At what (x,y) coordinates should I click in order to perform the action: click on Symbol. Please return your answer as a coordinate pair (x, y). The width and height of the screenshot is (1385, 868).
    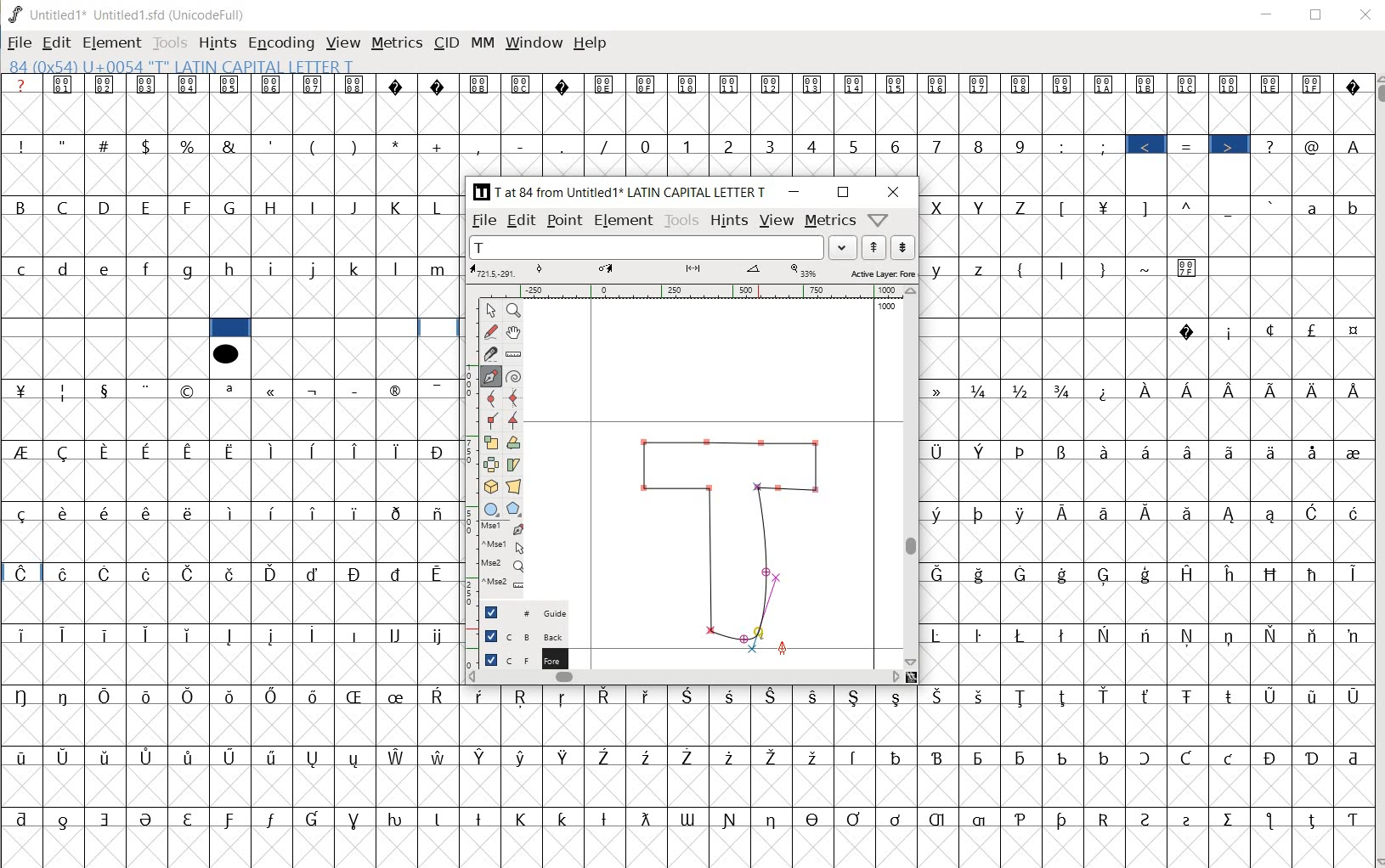
    Looking at the image, I should click on (1063, 452).